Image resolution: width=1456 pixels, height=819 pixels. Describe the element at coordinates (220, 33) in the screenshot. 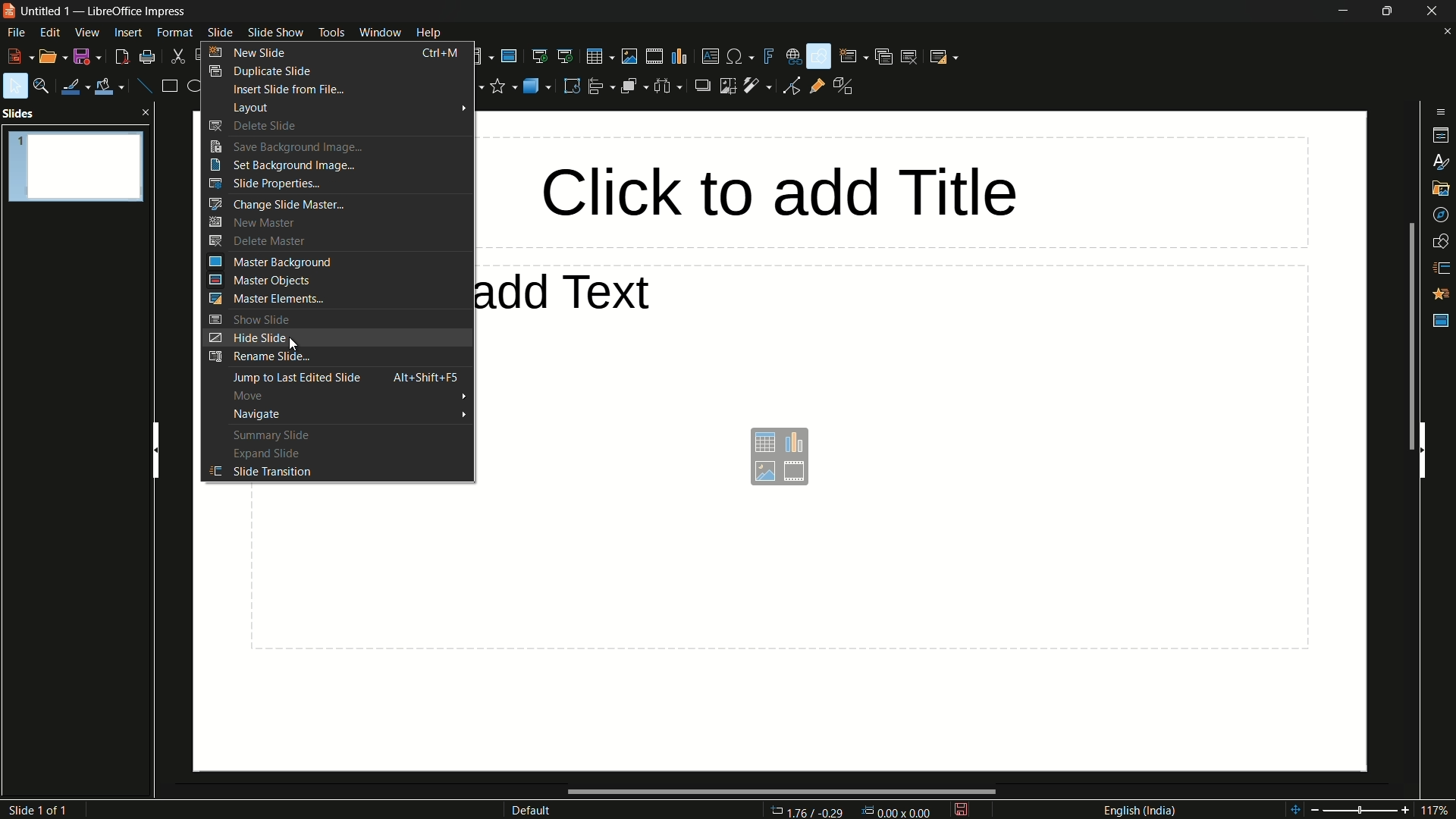

I see `slide menu` at that location.